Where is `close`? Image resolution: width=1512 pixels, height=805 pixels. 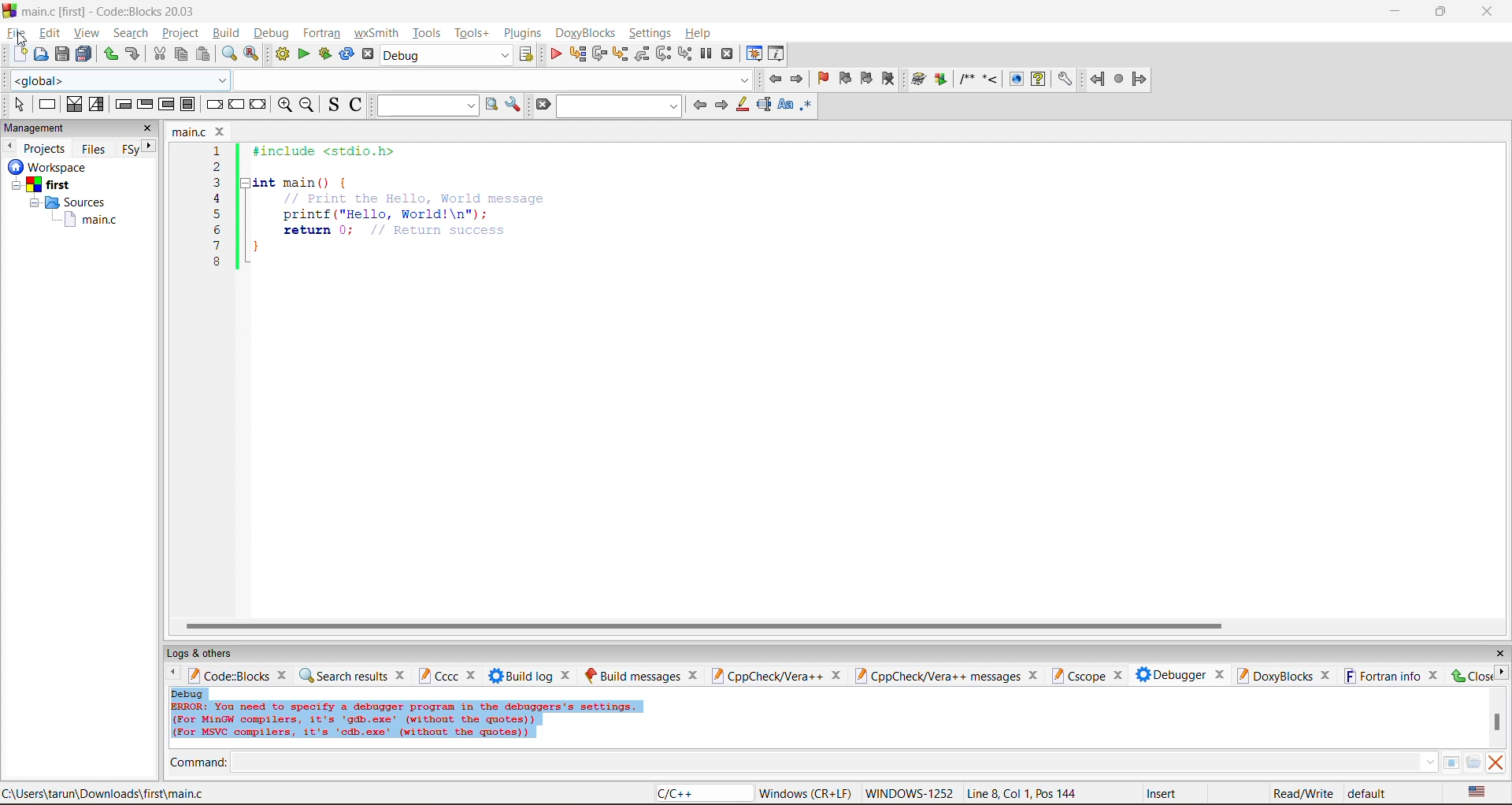 close is located at coordinates (1220, 673).